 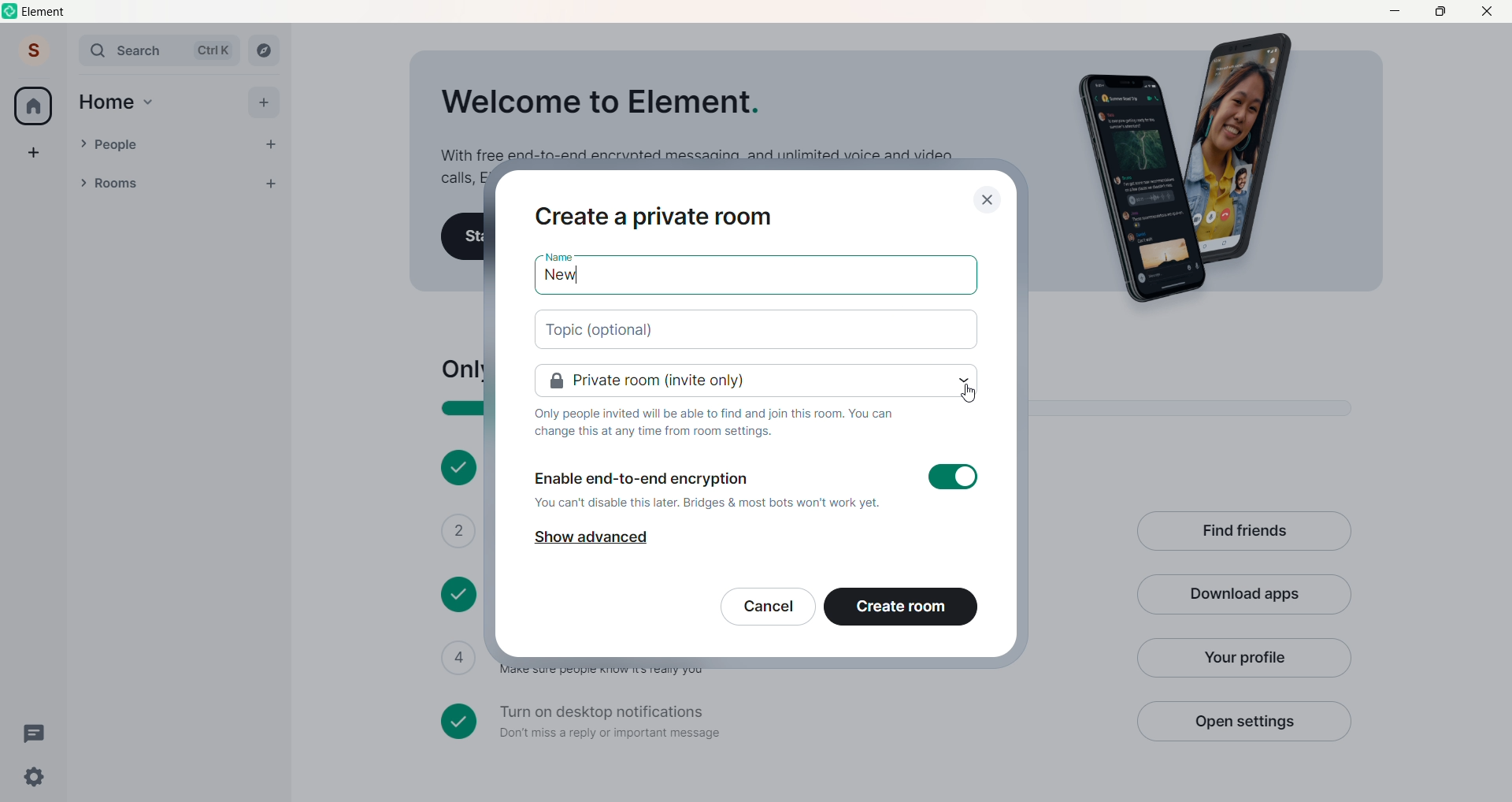 What do you see at coordinates (758, 381) in the screenshot?
I see `set room privacy` at bounding box center [758, 381].